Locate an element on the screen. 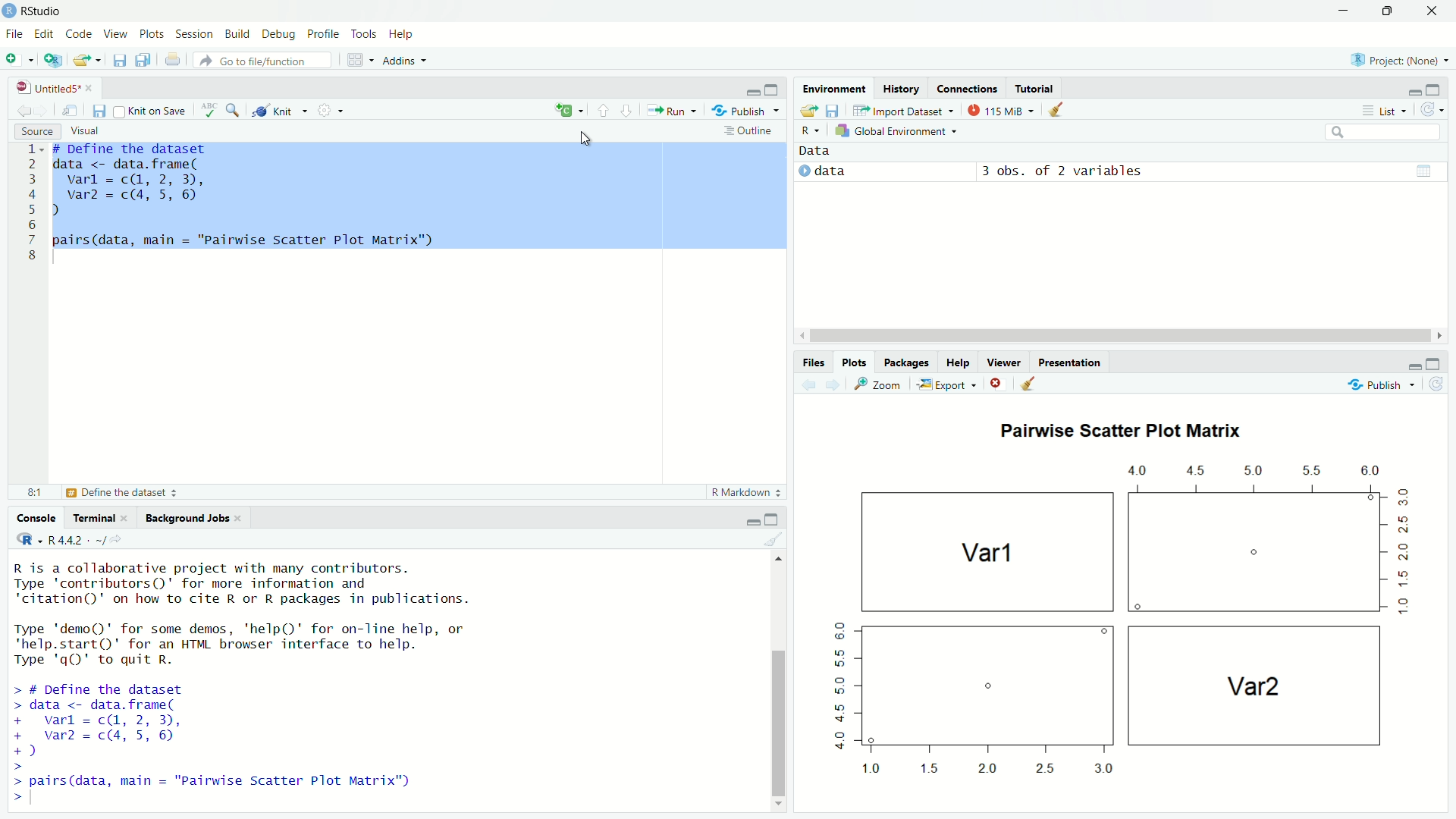 The width and height of the screenshot is (1456, 819). 1 2 3 4 5 6 7 8 is located at coordinates (31, 206).